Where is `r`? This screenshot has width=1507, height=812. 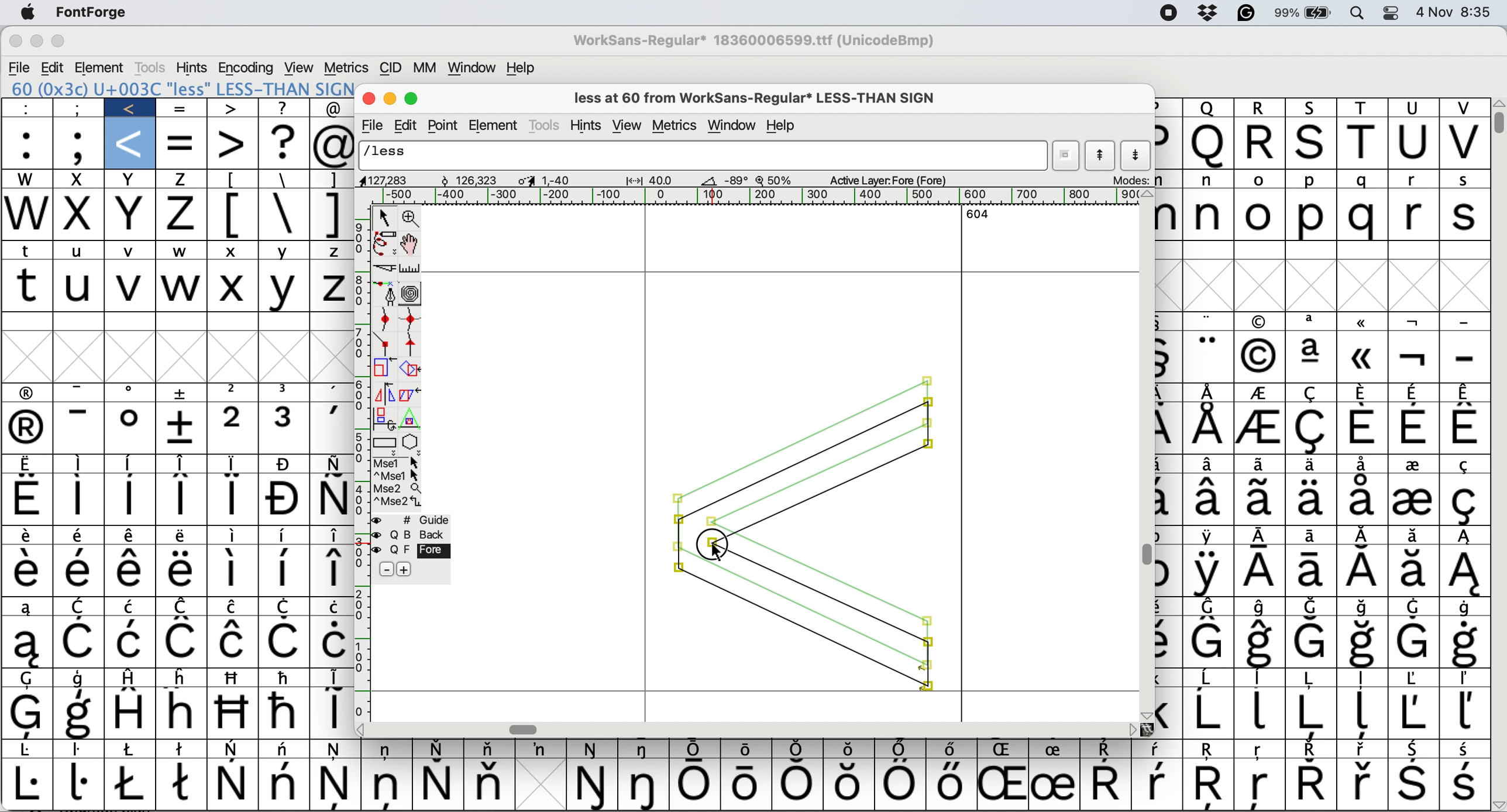 r is located at coordinates (1414, 180).